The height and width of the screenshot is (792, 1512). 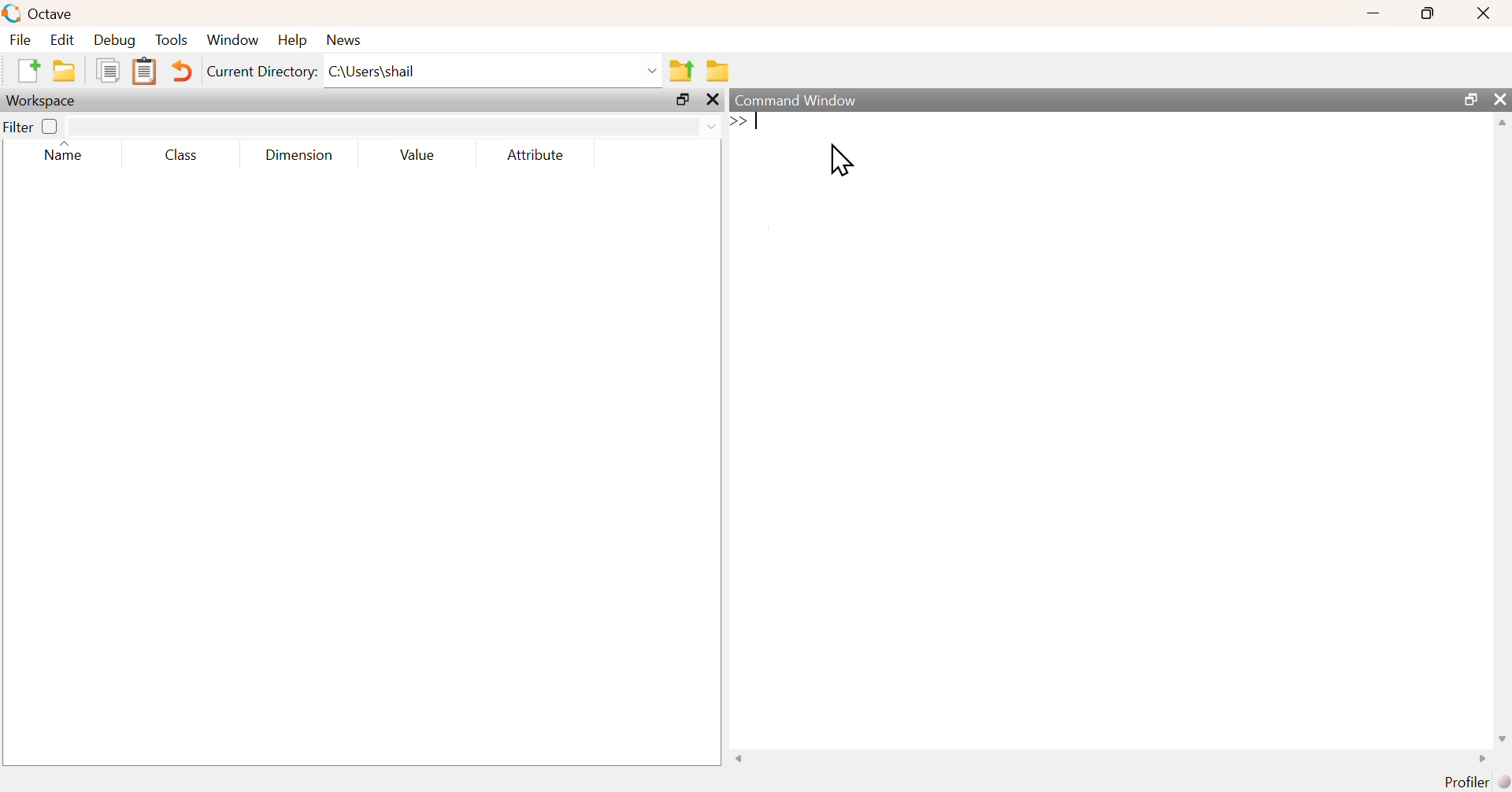 What do you see at coordinates (33, 126) in the screenshot?
I see `Filter` at bounding box center [33, 126].